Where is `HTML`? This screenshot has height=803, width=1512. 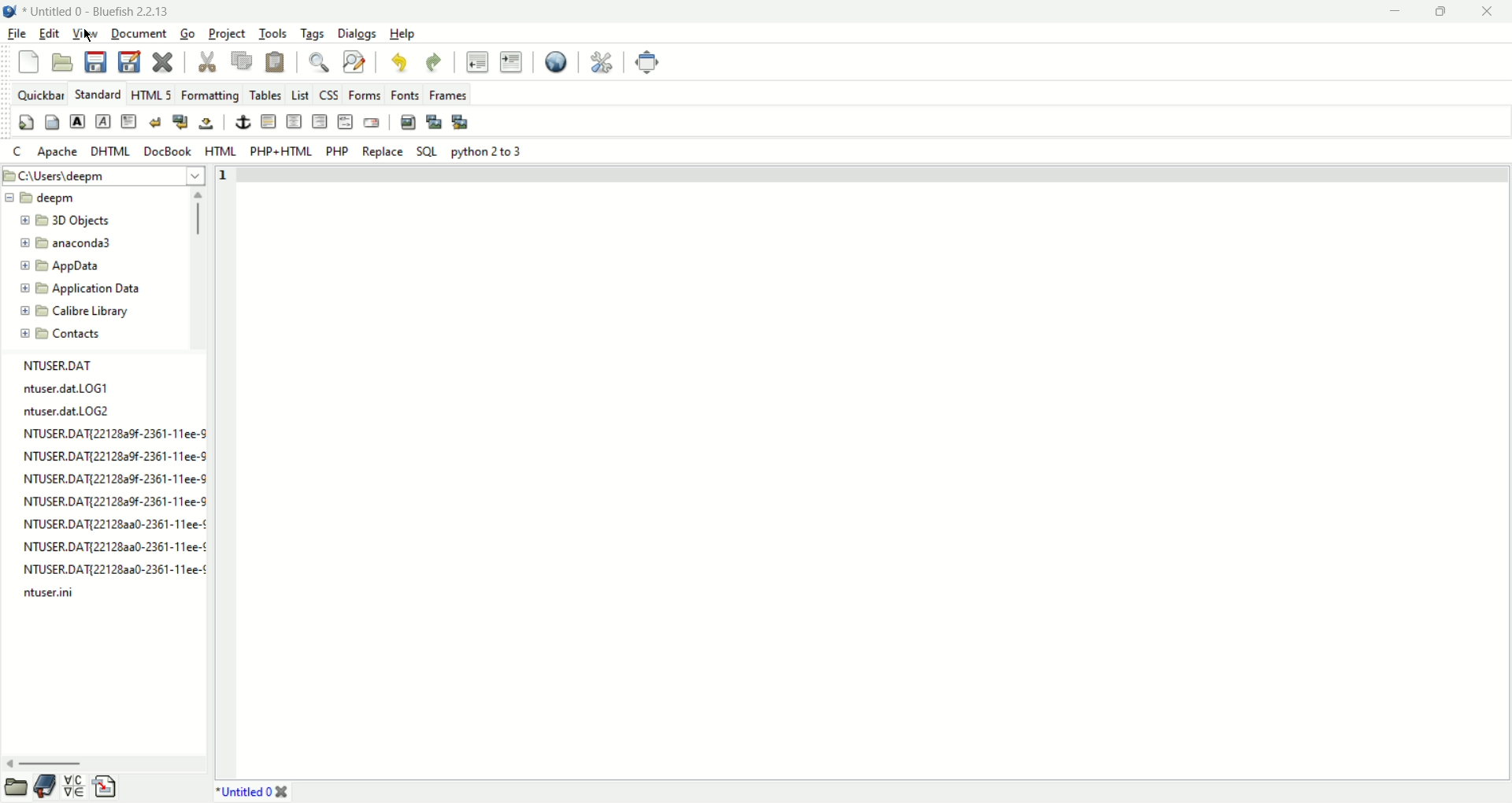 HTML is located at coordinates (151, 94).